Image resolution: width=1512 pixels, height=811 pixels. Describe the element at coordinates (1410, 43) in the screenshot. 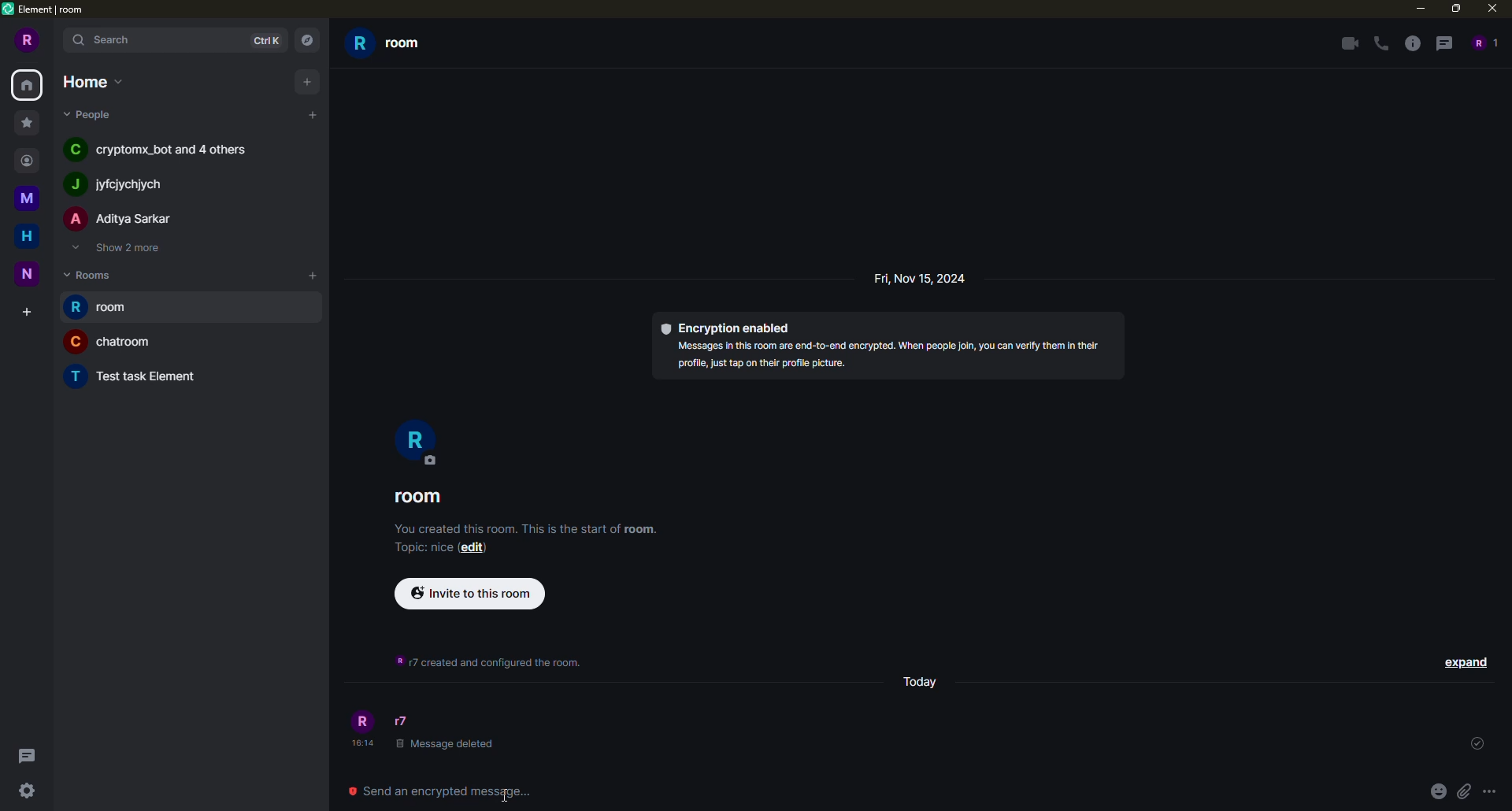

I see `info` at that location.